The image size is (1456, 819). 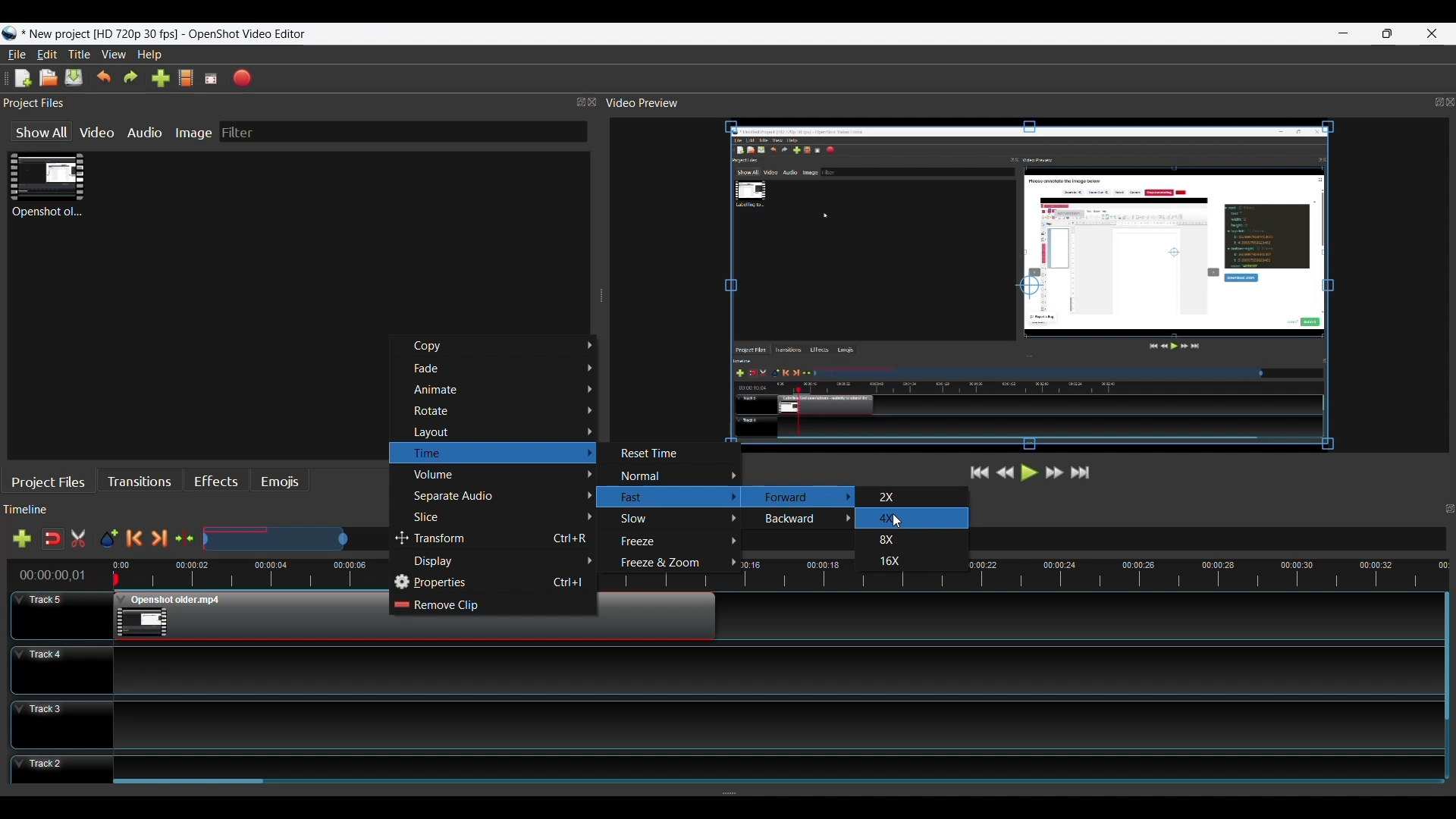 I want to click on Help, so click(x=149, y=55).